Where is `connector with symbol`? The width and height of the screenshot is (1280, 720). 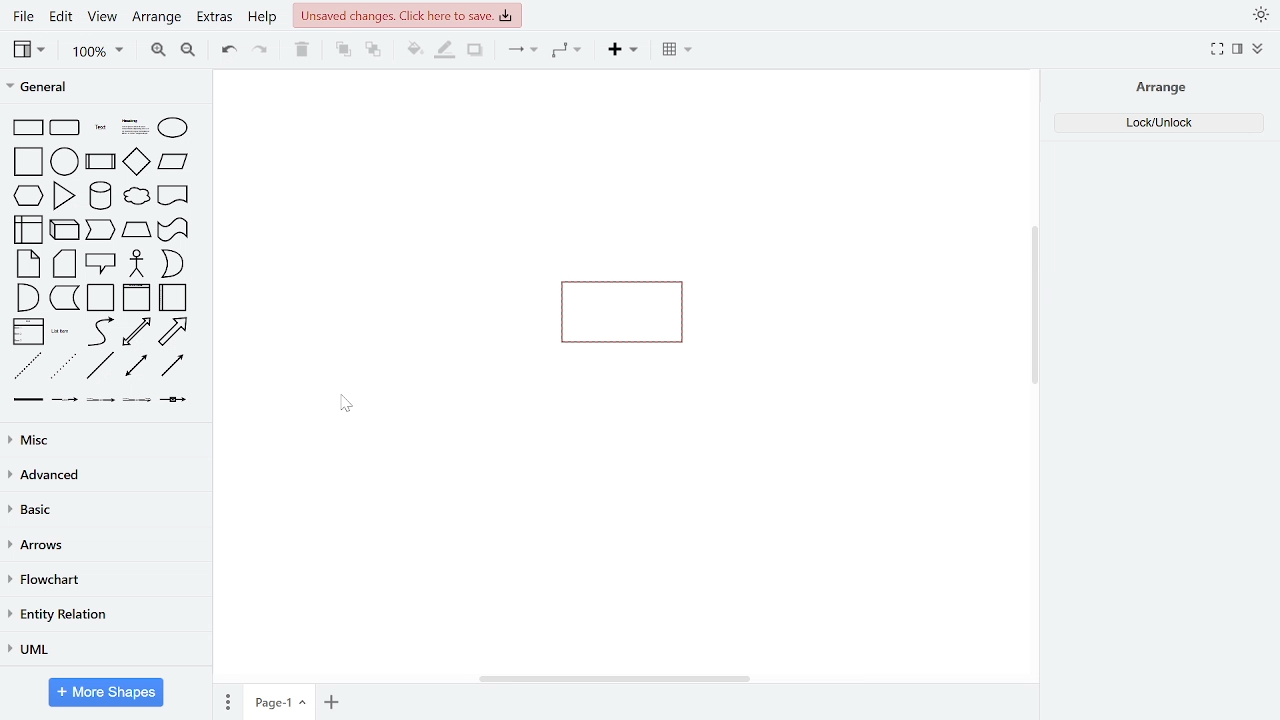
connector with symbol is located at coordinates (175, 400).